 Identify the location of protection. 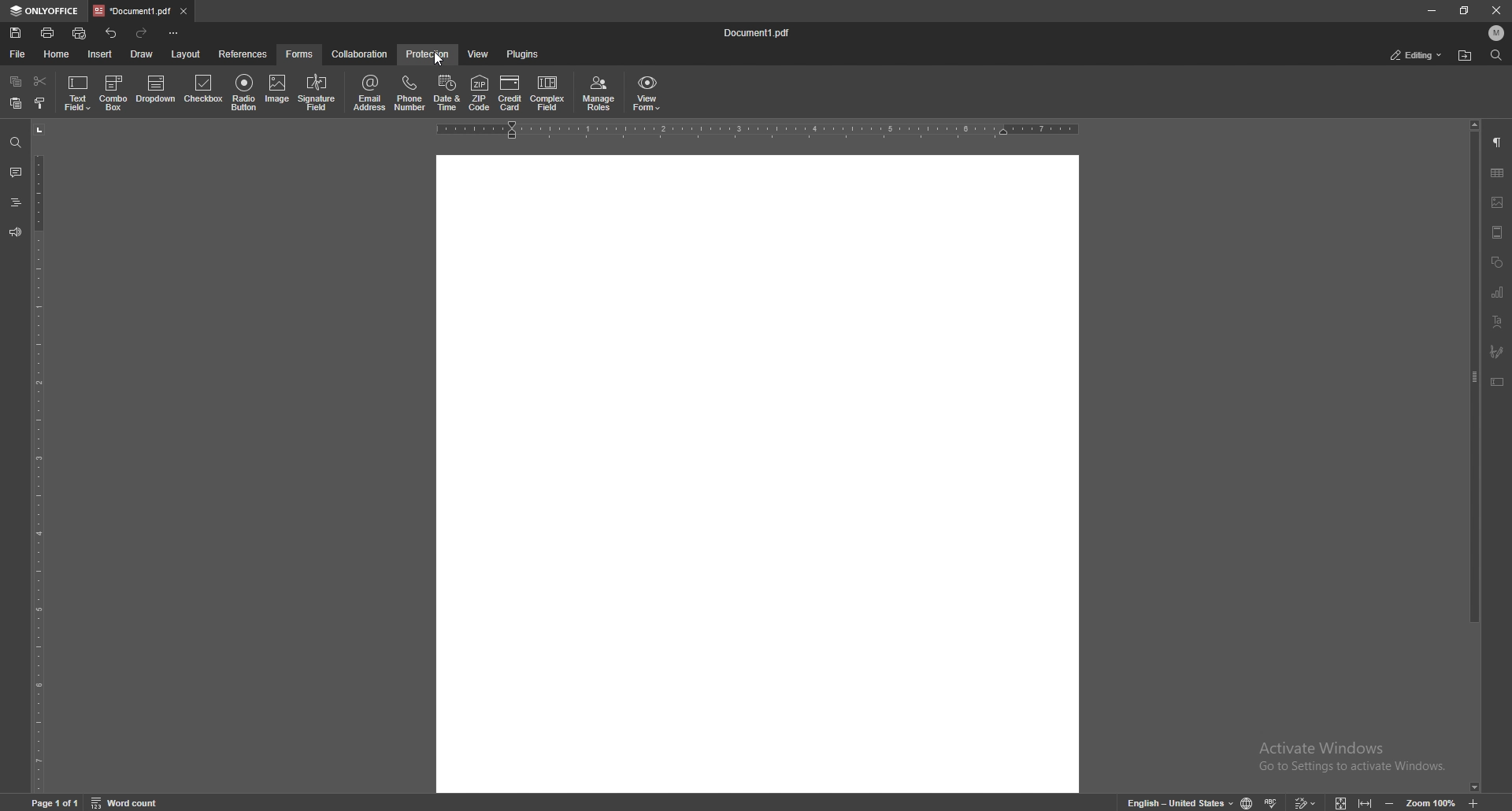
(428, 54).